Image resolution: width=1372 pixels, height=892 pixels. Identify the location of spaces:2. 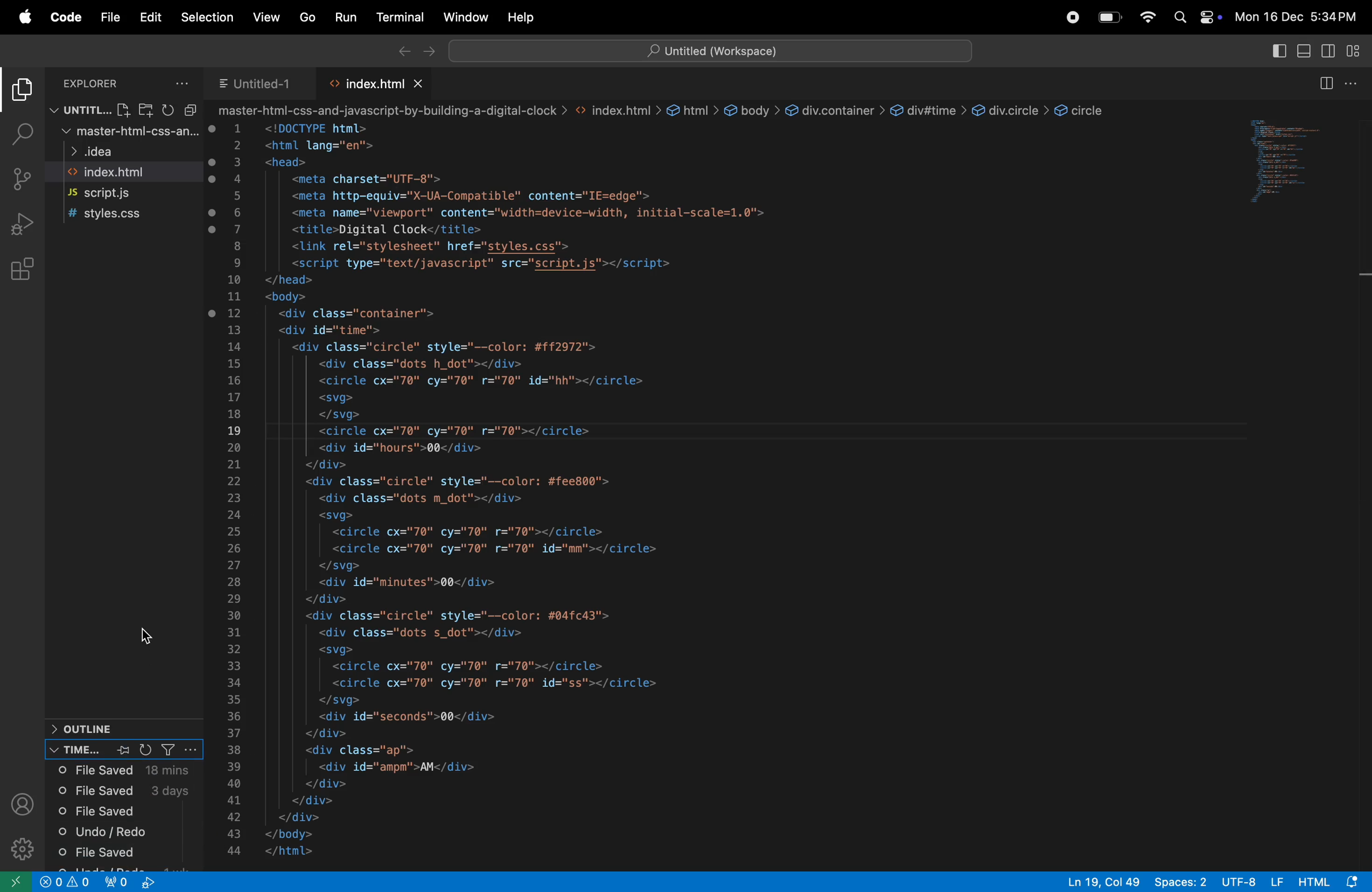
(1178, 882).